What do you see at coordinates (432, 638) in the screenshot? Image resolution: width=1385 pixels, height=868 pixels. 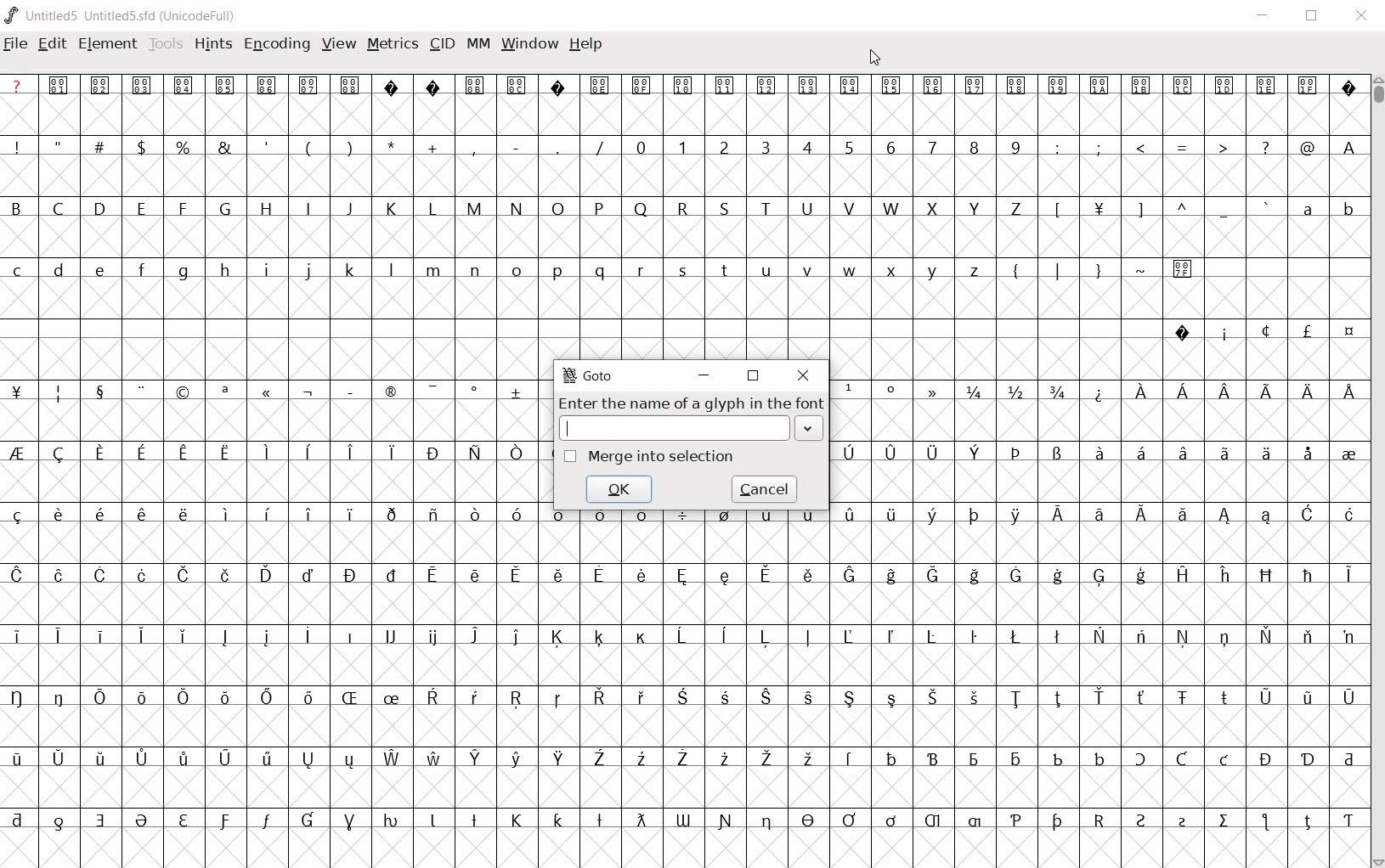 I see `Symbol` at bounding box center [432, 638].